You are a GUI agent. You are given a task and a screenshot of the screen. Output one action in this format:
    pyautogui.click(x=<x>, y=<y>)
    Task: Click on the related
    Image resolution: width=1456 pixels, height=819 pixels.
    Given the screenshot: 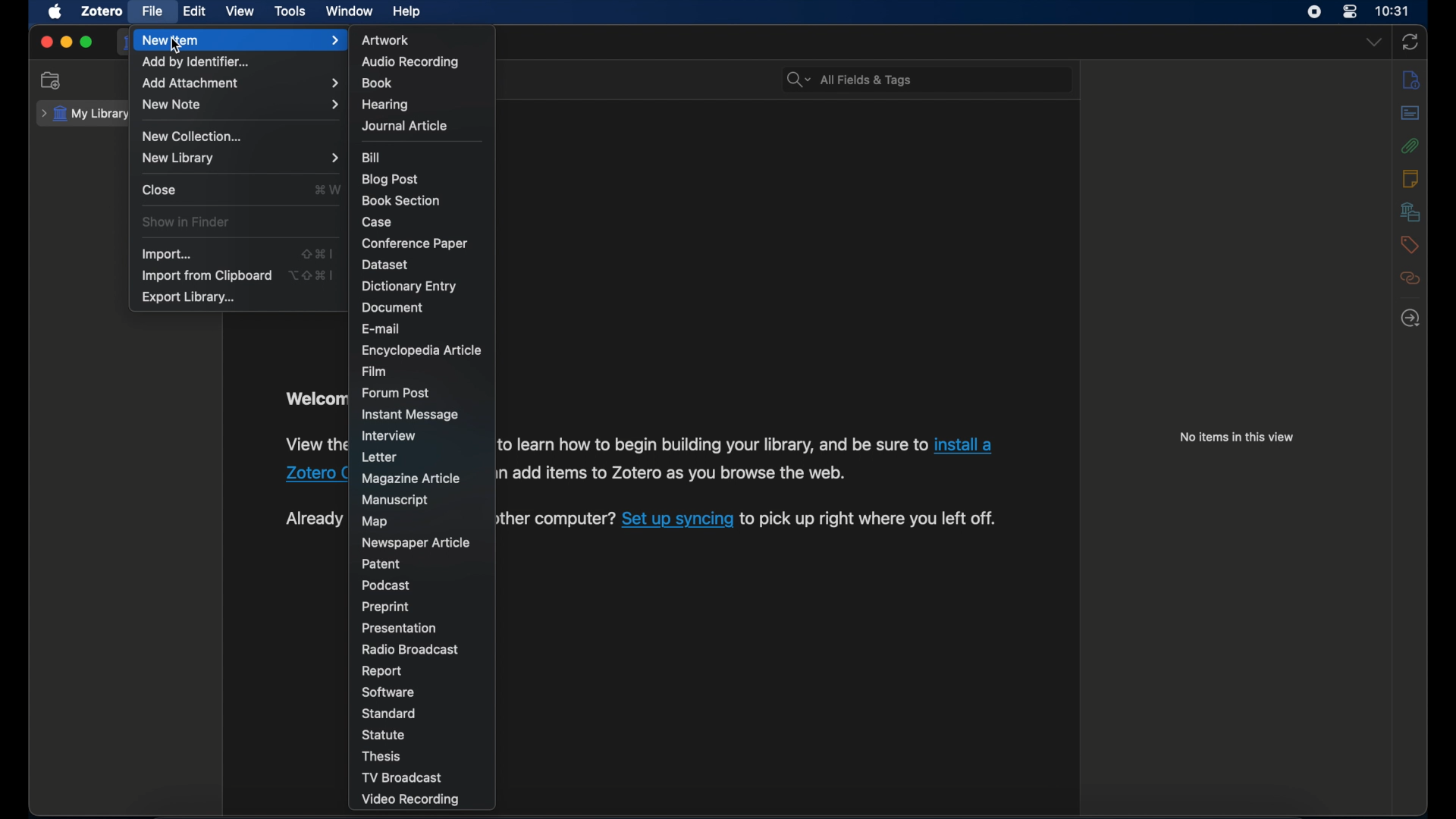 What is the action you would take?
    pyautogui.click(x=1411, y=278)
    